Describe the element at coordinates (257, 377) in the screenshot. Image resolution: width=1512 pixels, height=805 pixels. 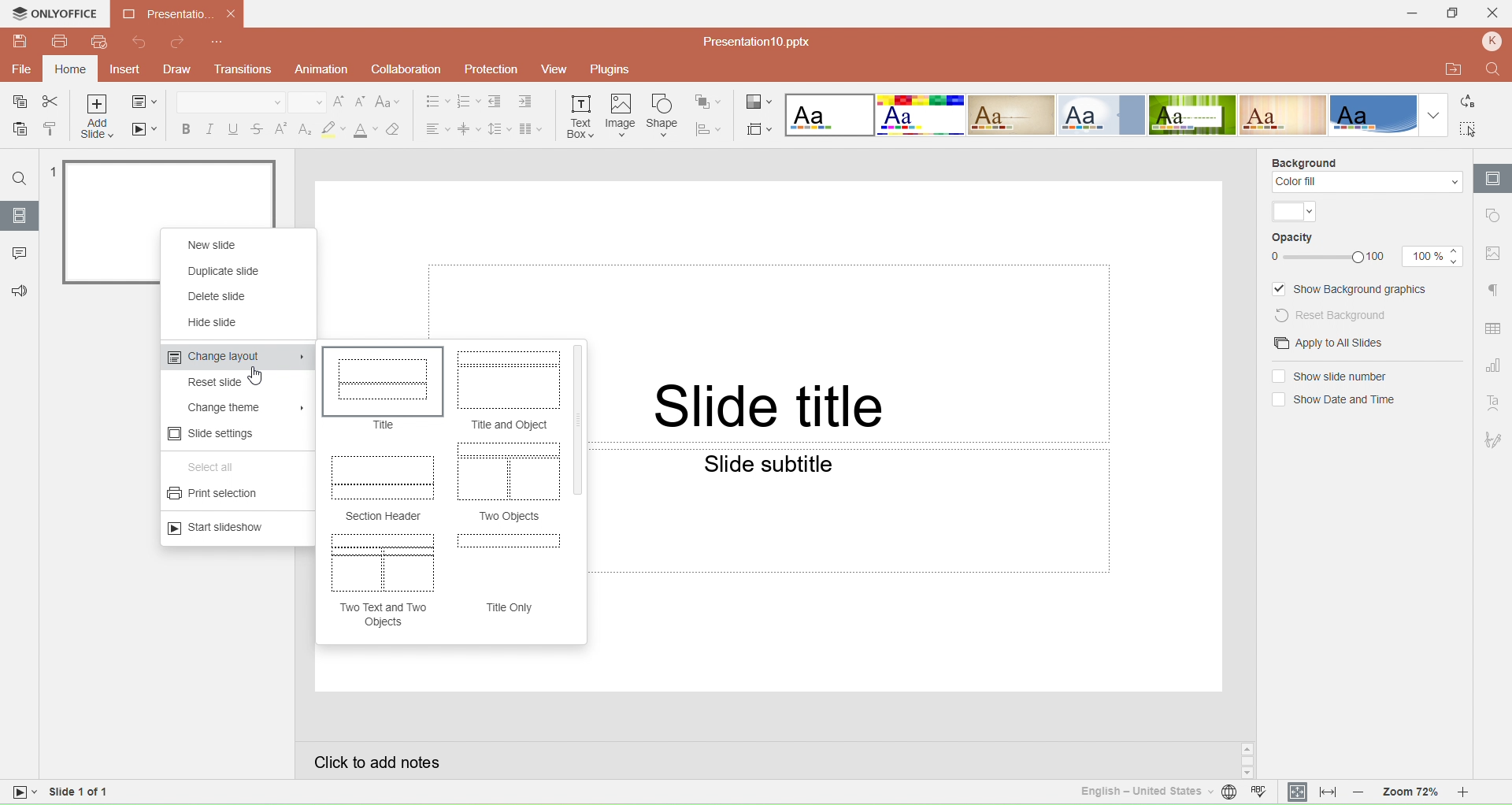
I see `Cursor` at that location.